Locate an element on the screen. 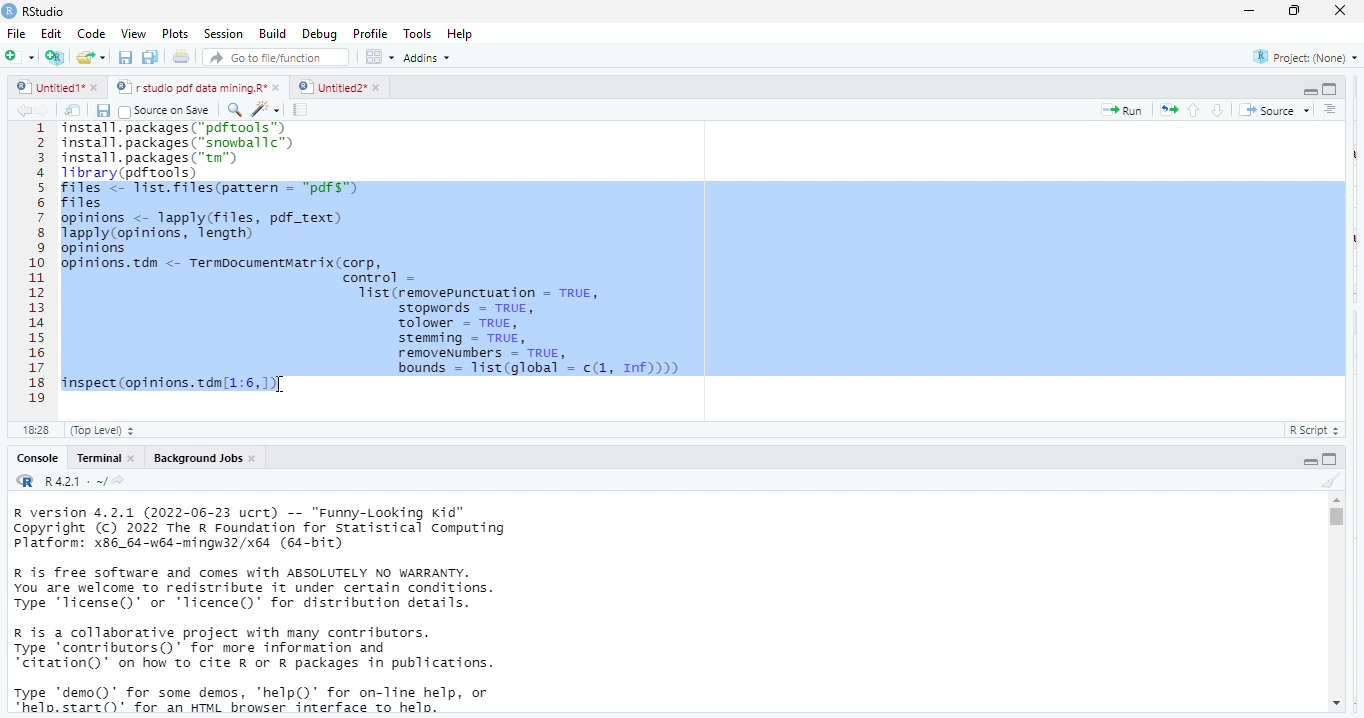 Image resolution: width=1364 pixels, height=718 pixels. close is located at coordinates (255, 458).